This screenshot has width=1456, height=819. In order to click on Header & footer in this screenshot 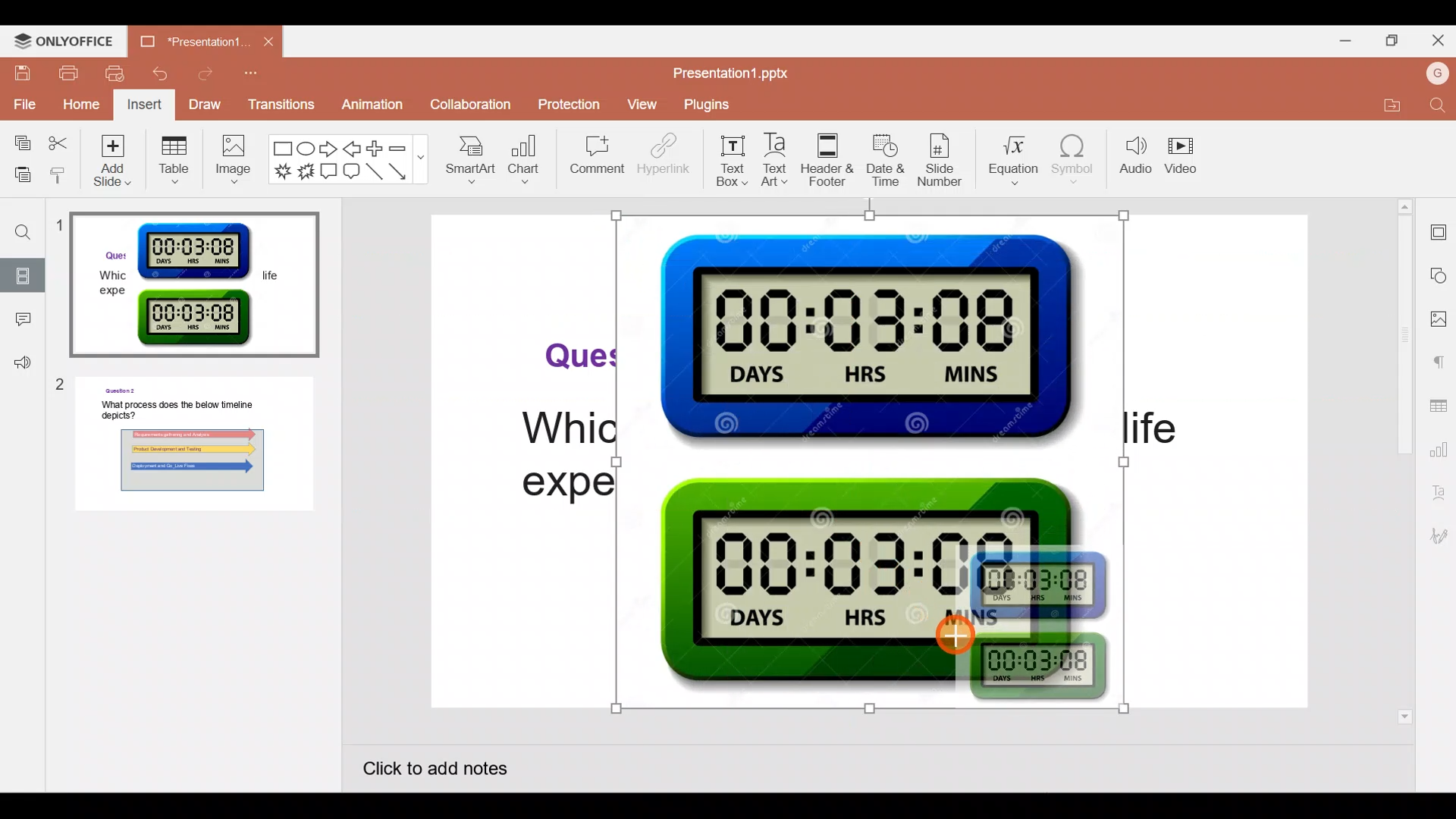, I will do `click(827, 155)`.